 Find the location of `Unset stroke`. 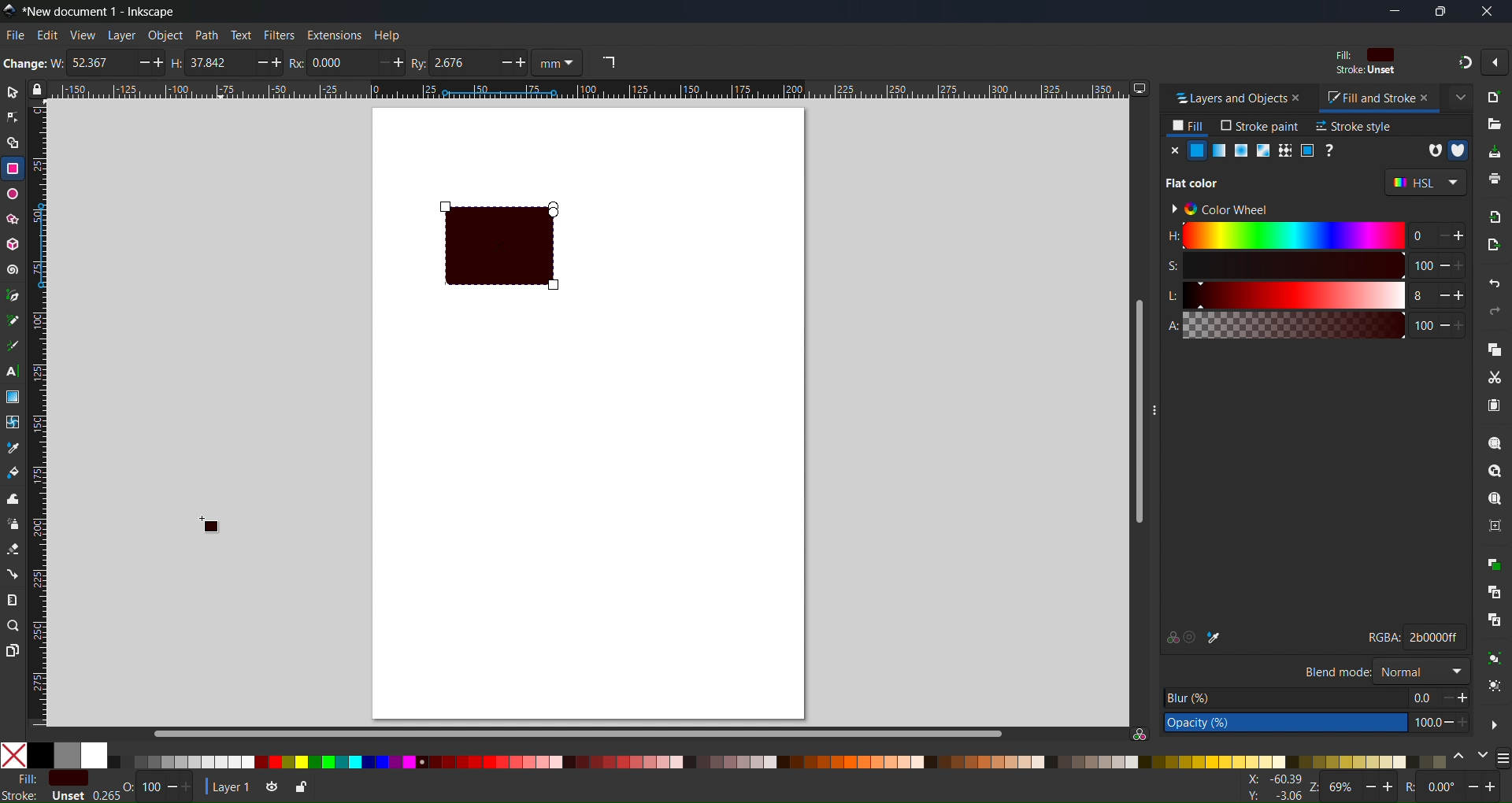

Unset stroke is located at coordinates (67, 796).